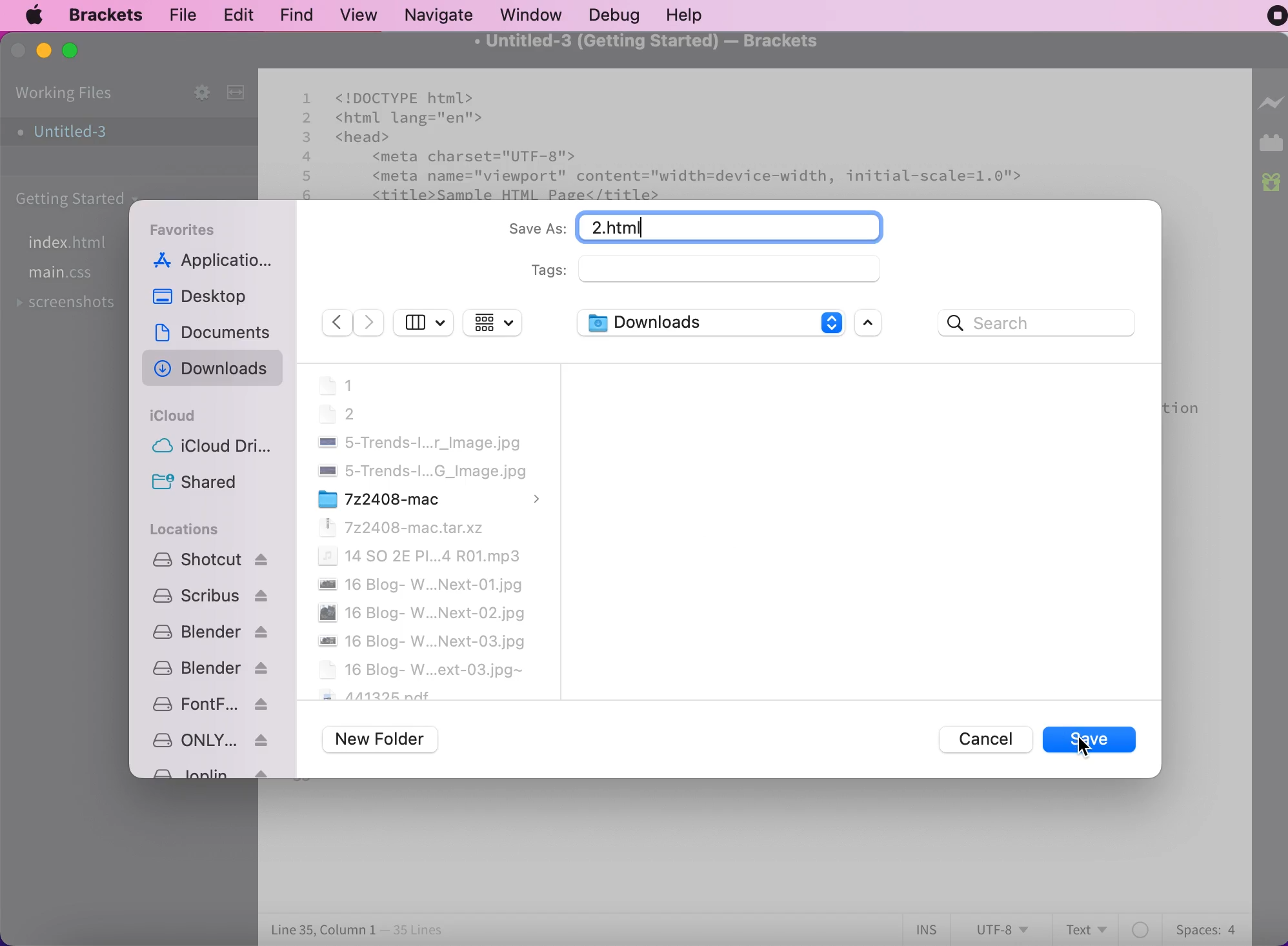  Describe the element at coordinates (186, 230) in the screenshot. I see `favorites` at that location.